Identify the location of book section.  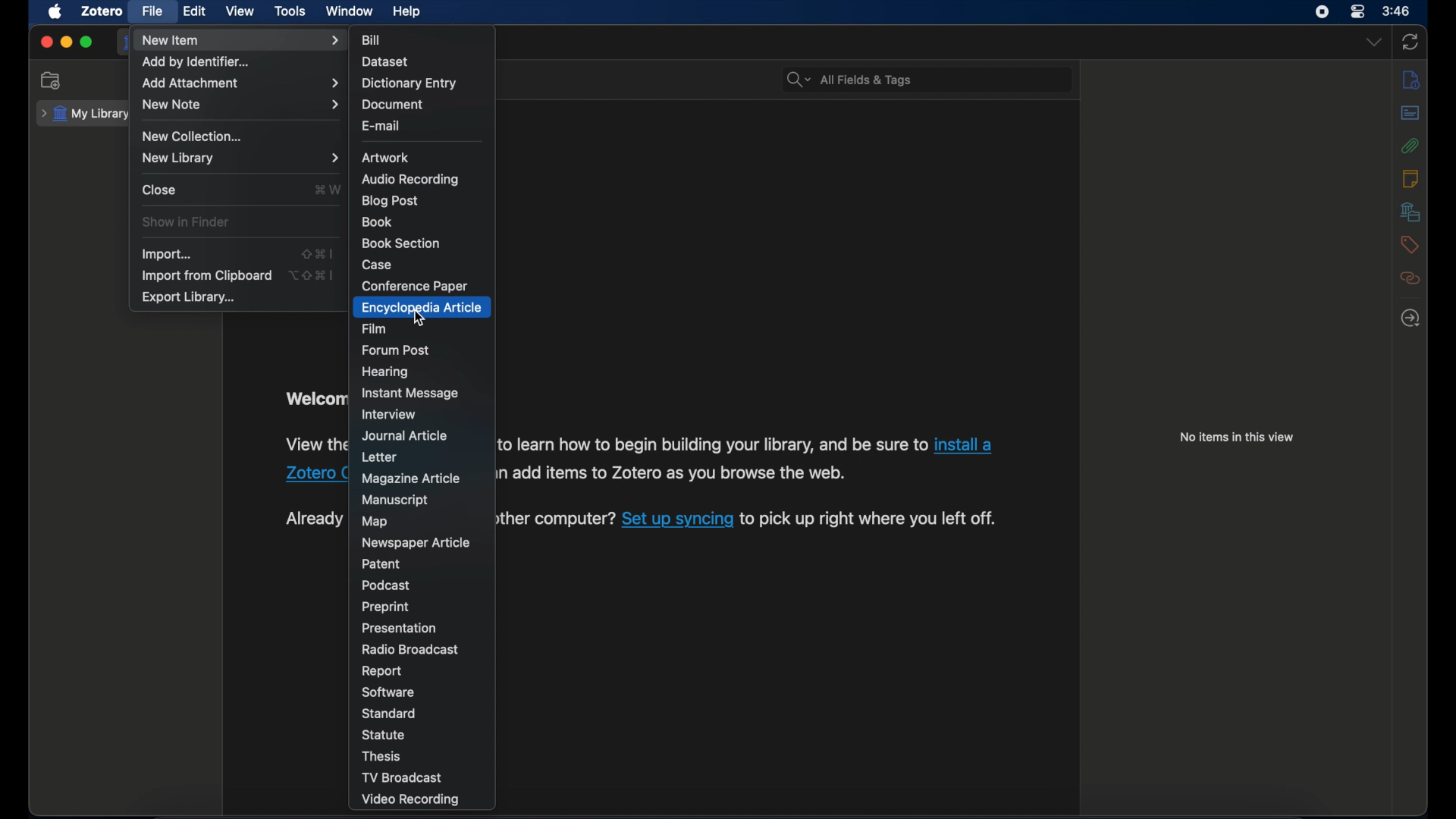
(401, 243).